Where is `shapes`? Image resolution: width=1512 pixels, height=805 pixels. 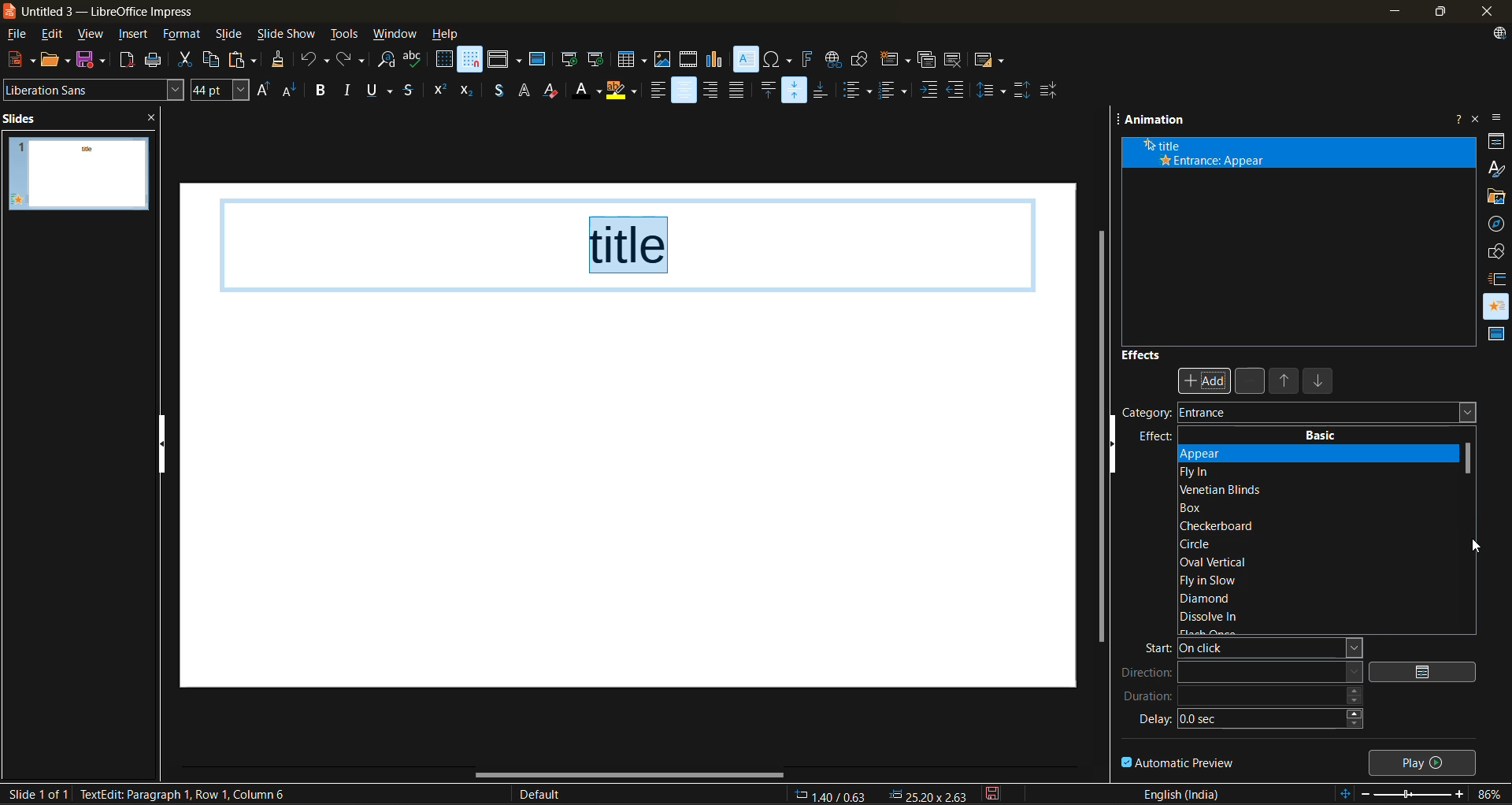 shapes is located at coordinates (1498, 251).